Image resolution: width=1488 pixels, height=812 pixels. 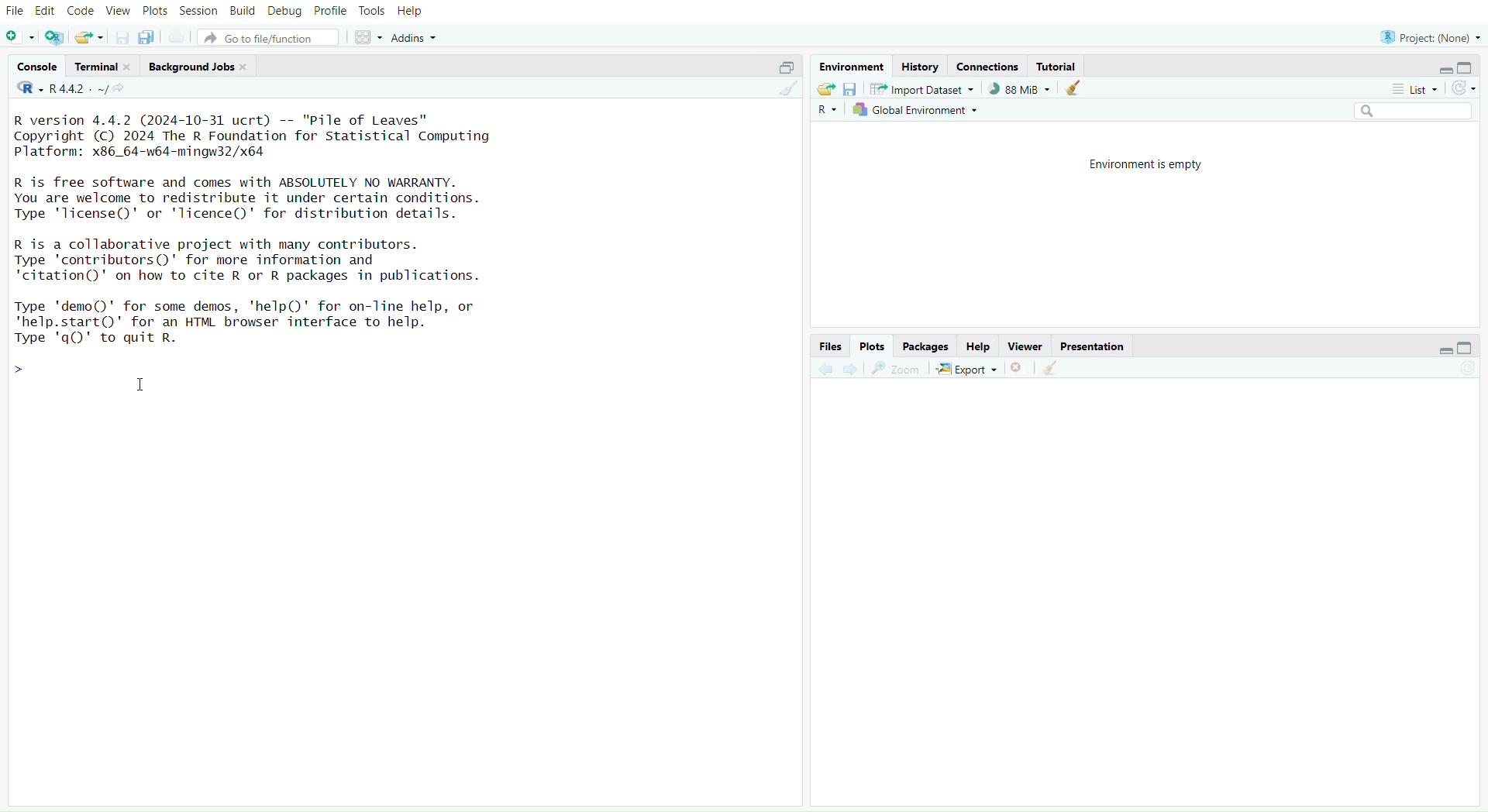 I want to click on export, so click(x=966, y=370).